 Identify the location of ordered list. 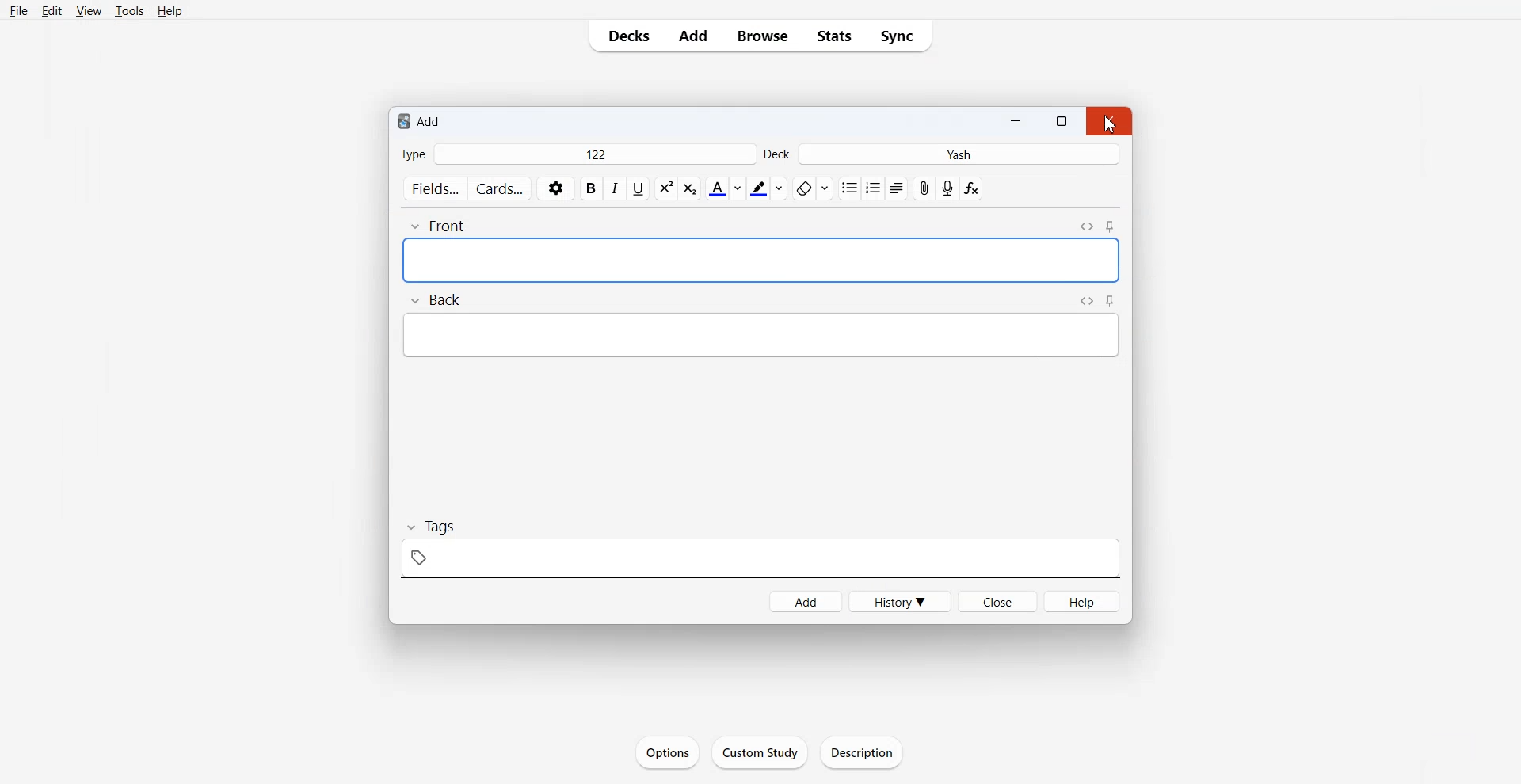
(873, 188).